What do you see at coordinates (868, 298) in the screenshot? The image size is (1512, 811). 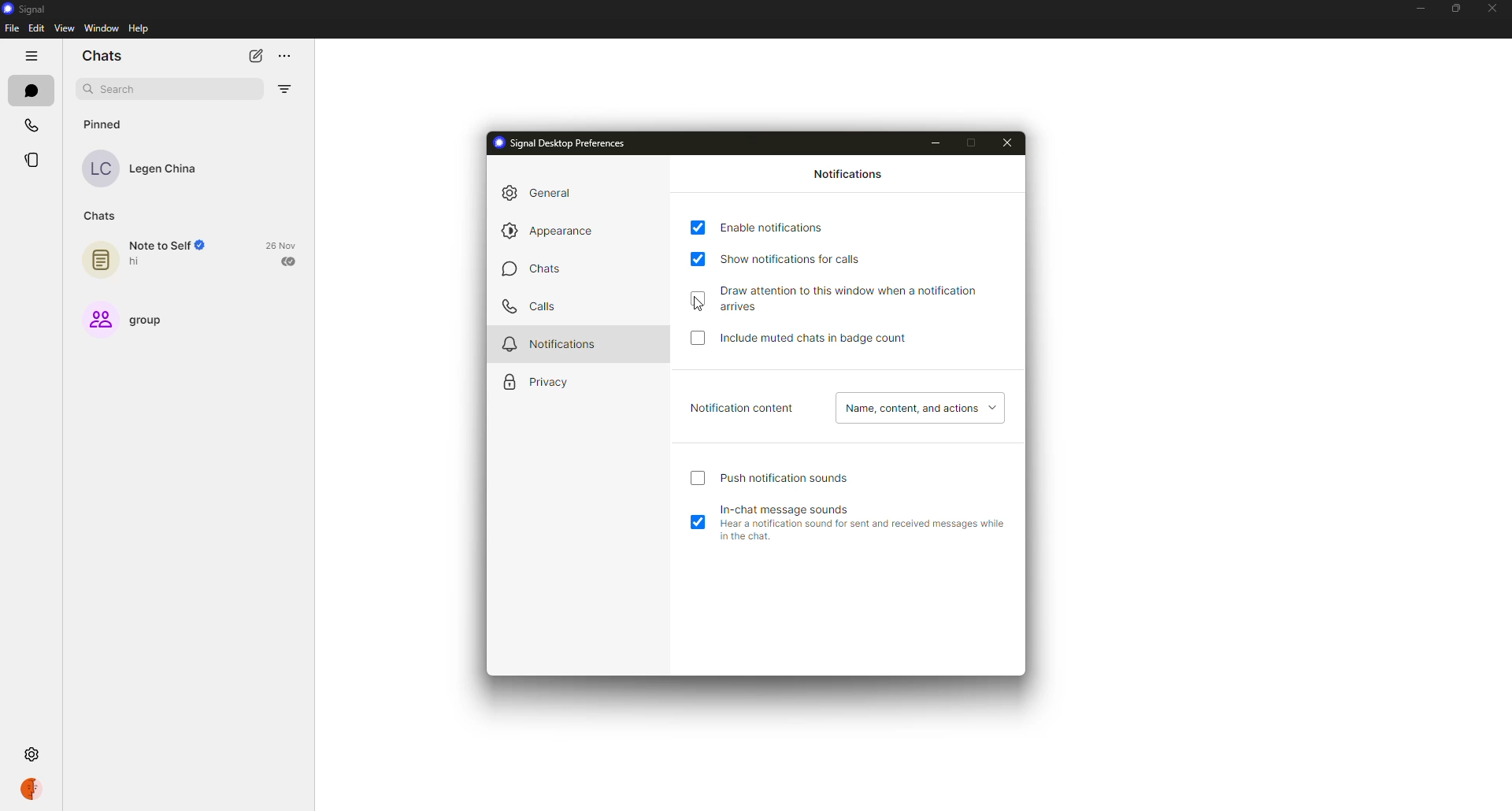 I see `draw attention to this window when notification arrives` at bounding box center [868, 298].